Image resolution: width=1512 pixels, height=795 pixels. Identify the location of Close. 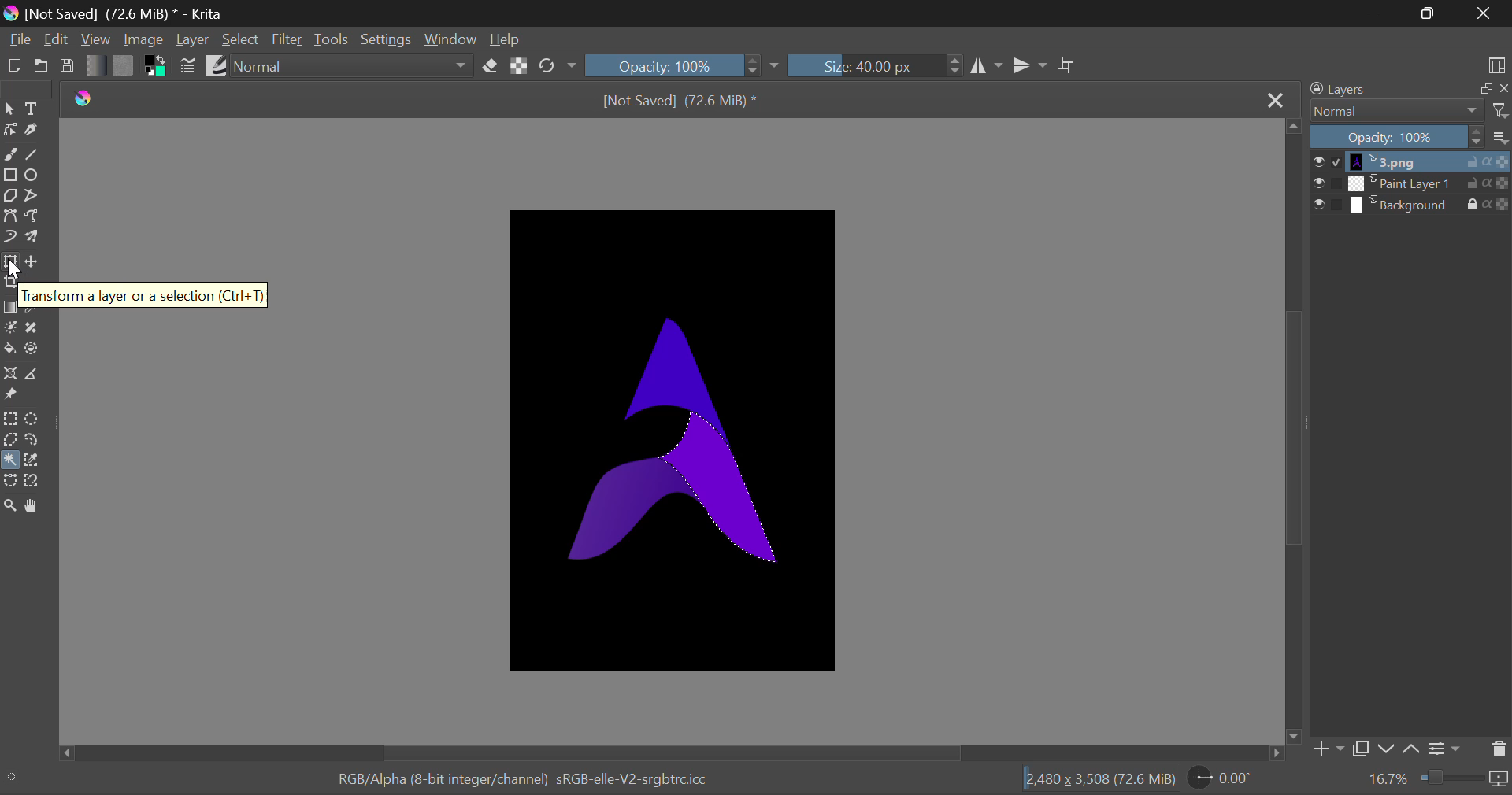
(1484, 13).